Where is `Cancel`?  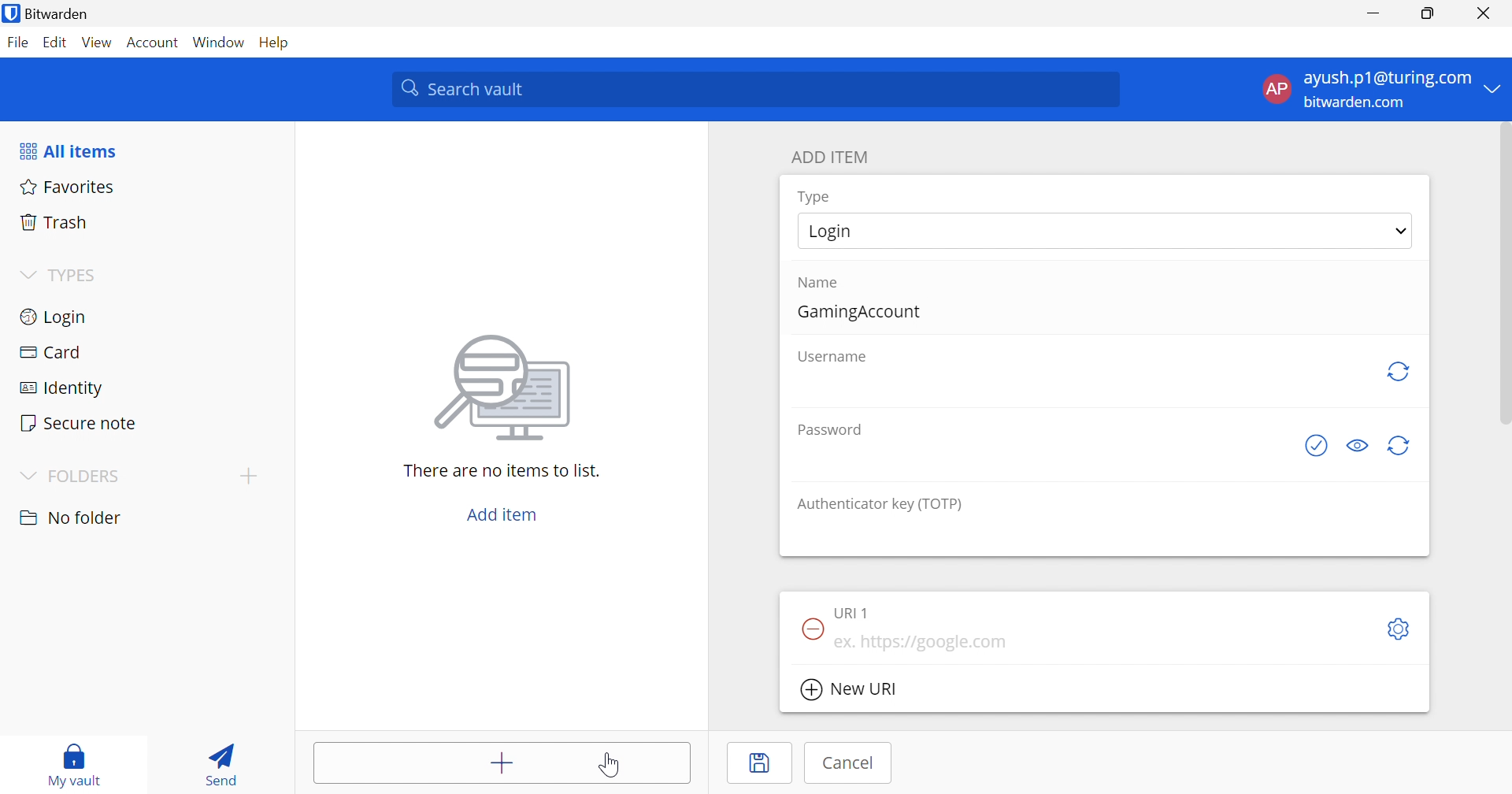
Cancel is located at coordinates (845, 765).